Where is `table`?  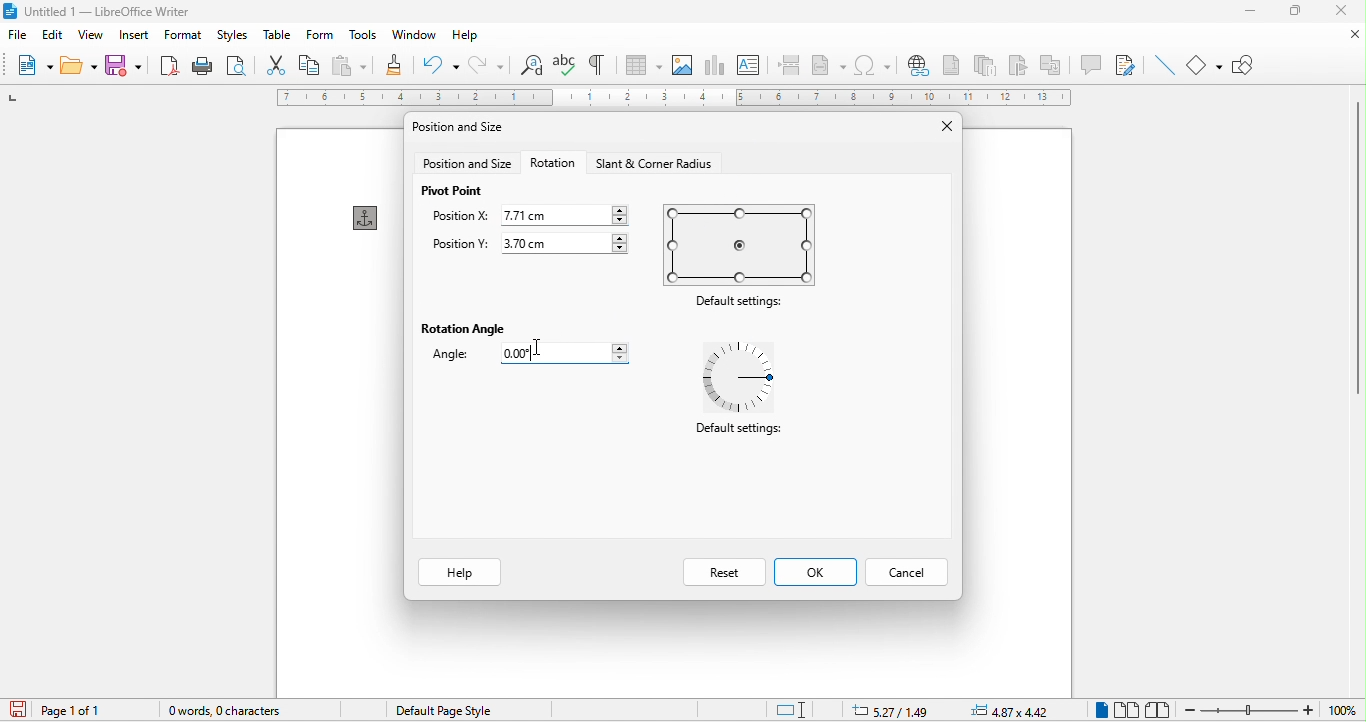
table is located at coordinates (276, 37).